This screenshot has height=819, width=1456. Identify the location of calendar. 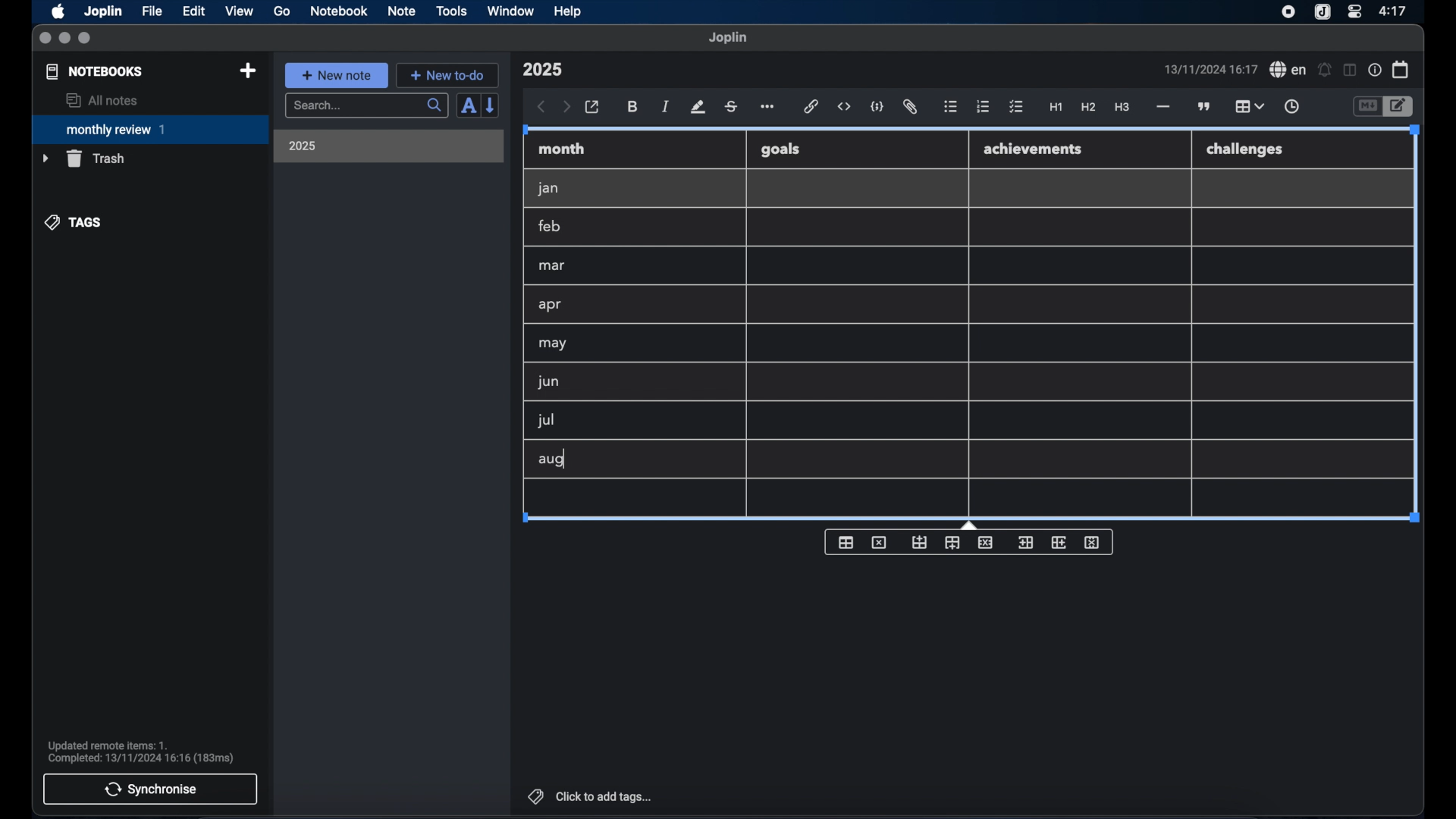
(1401, 69).